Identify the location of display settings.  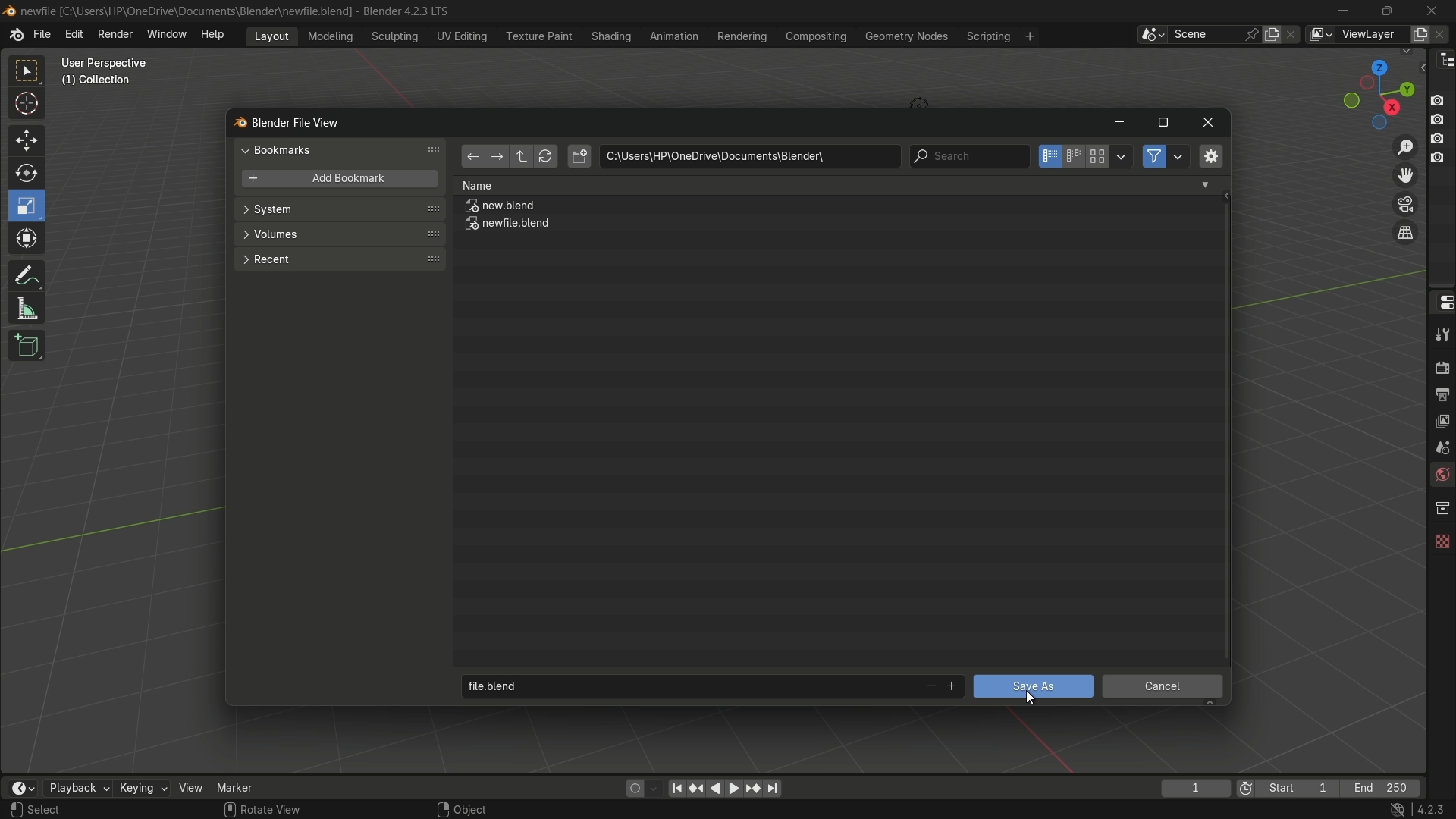
(1122, 155).